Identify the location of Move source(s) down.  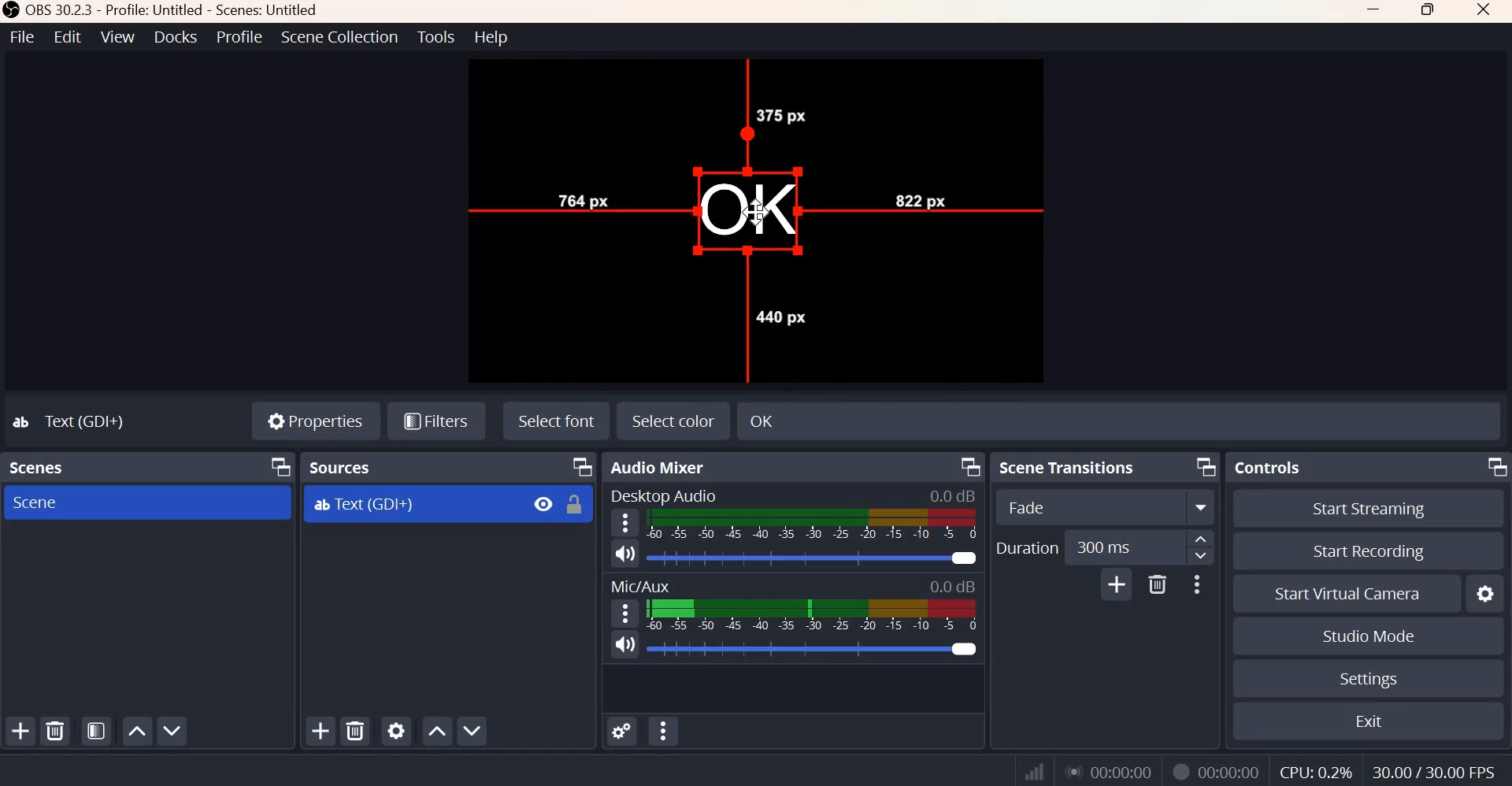
(471, 730).